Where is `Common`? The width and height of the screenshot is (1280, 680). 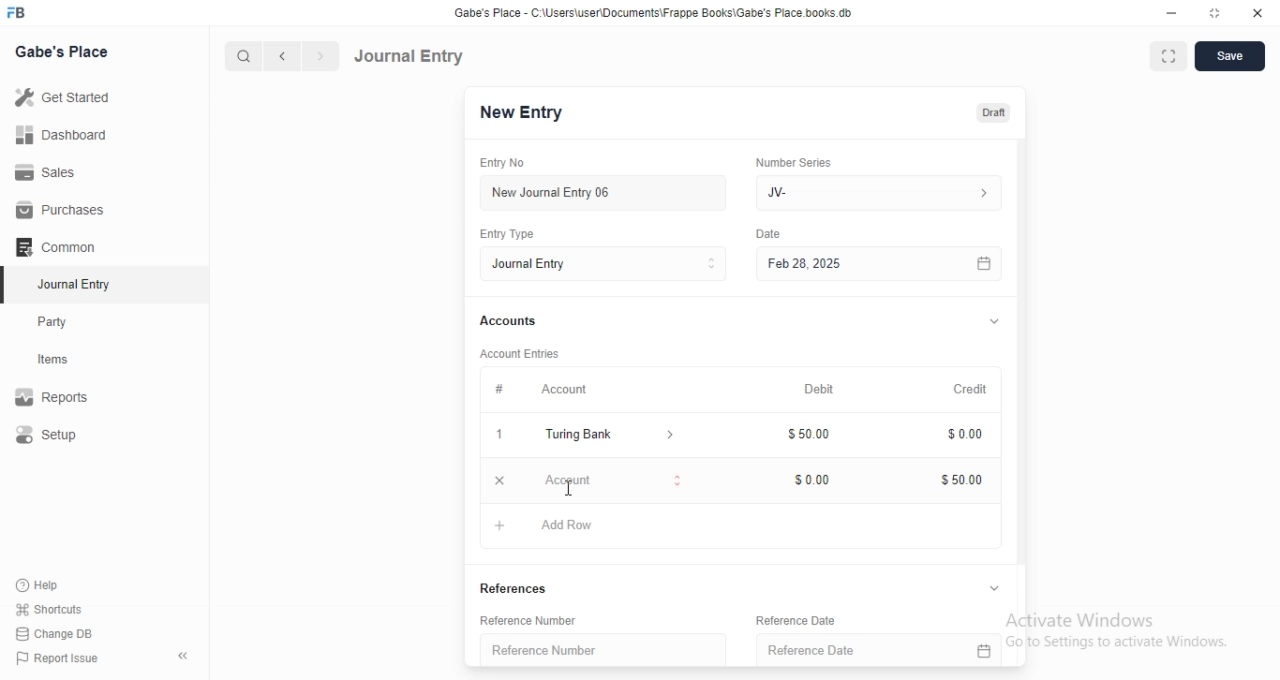
Common is located at coordinates (61, 247).